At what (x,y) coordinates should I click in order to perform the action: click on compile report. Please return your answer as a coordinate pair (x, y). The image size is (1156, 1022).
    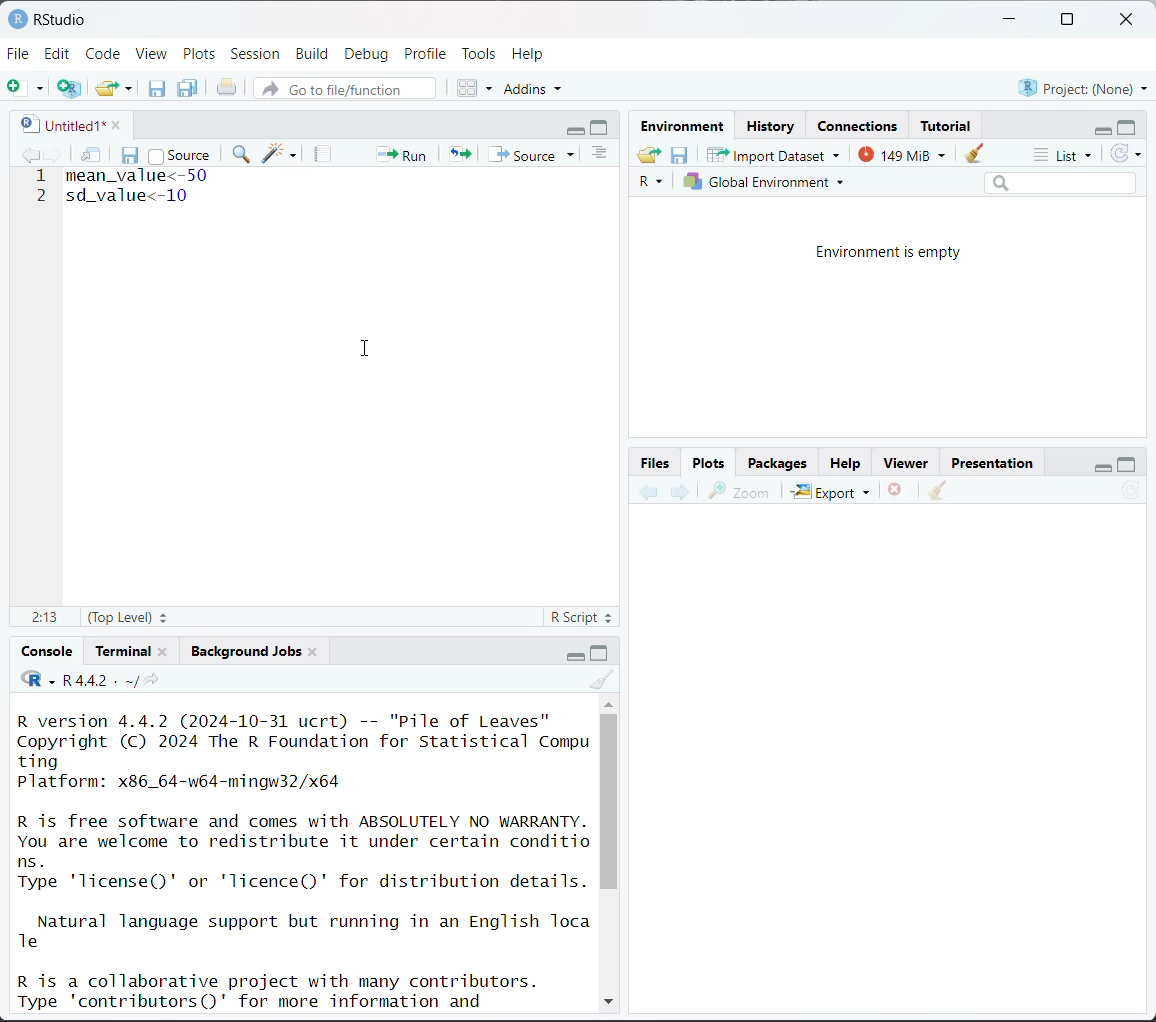
    Looking at the image, I should click on (325, 154).